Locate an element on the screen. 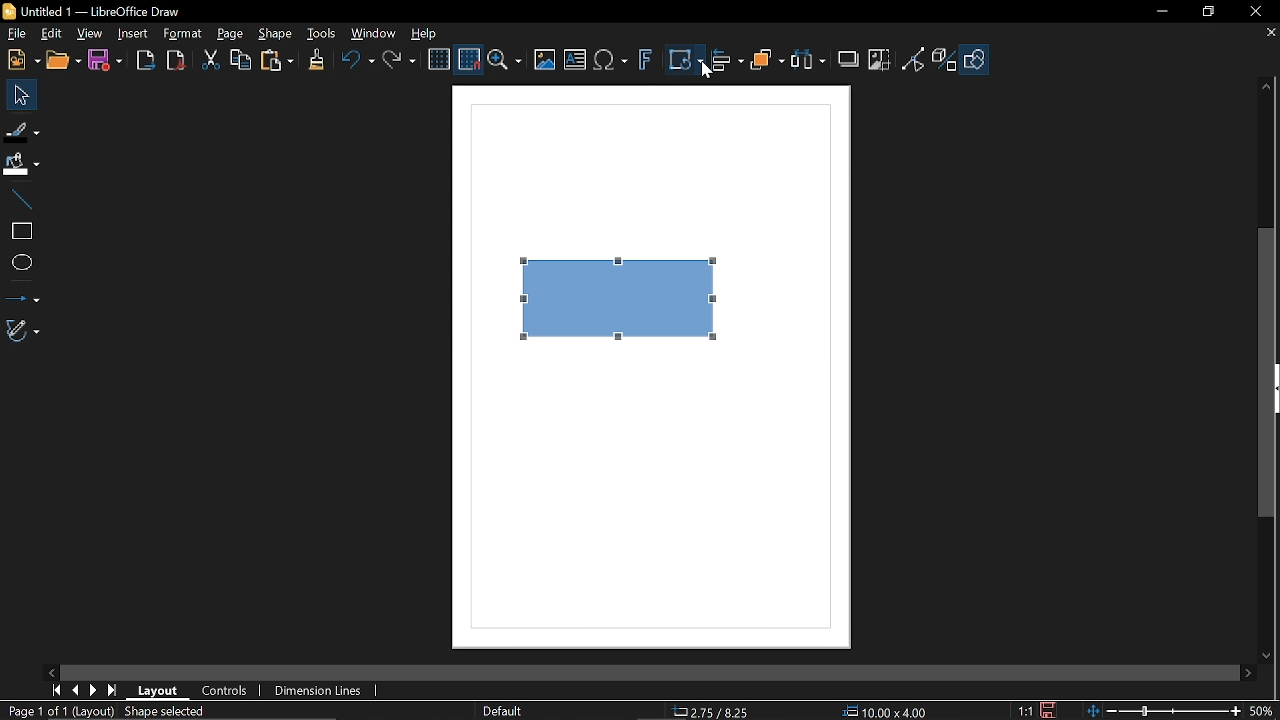  Copy is located at coordinates (239, 63).